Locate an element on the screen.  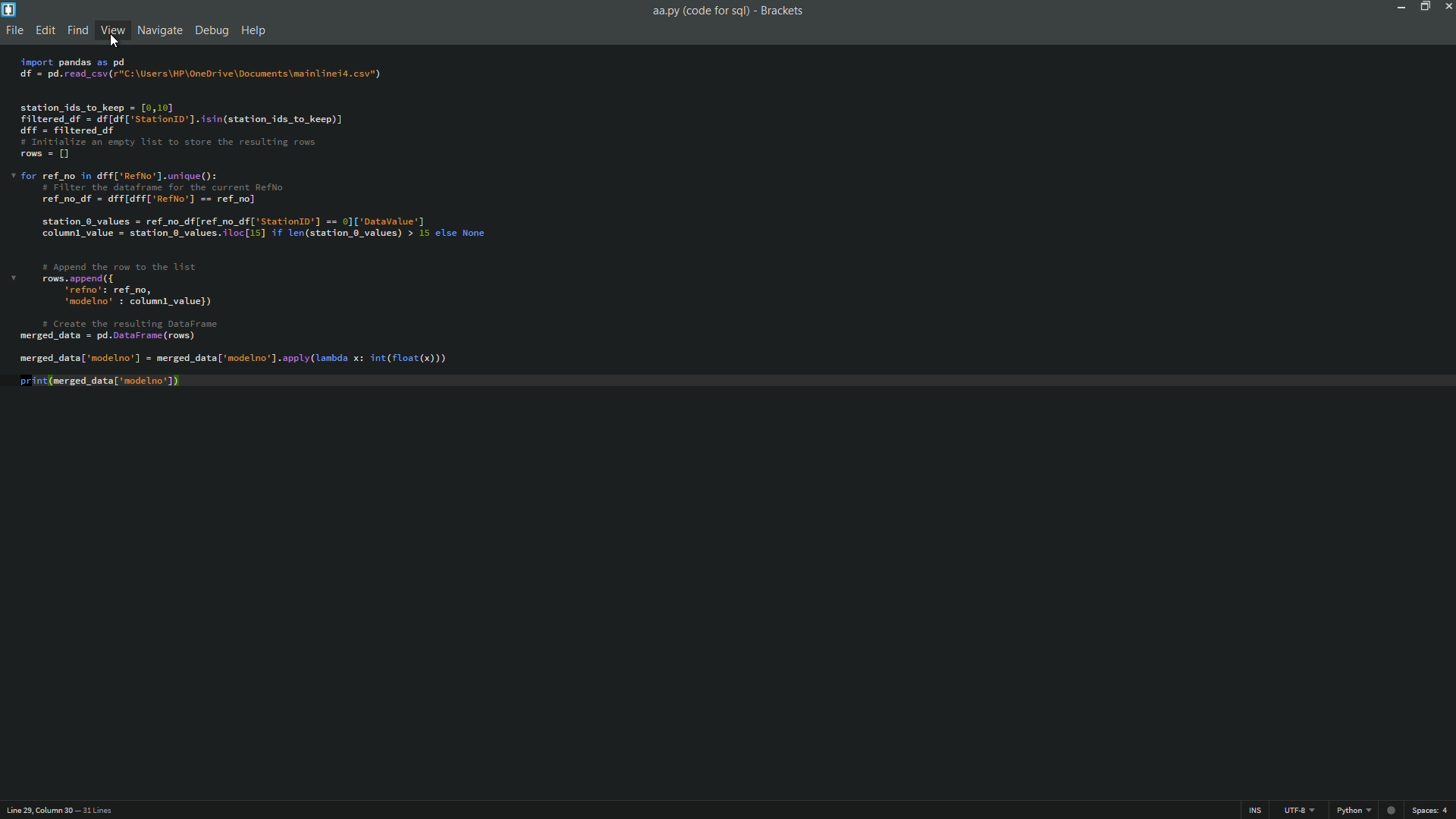
ins text field is located at coordinates (1255, 810).